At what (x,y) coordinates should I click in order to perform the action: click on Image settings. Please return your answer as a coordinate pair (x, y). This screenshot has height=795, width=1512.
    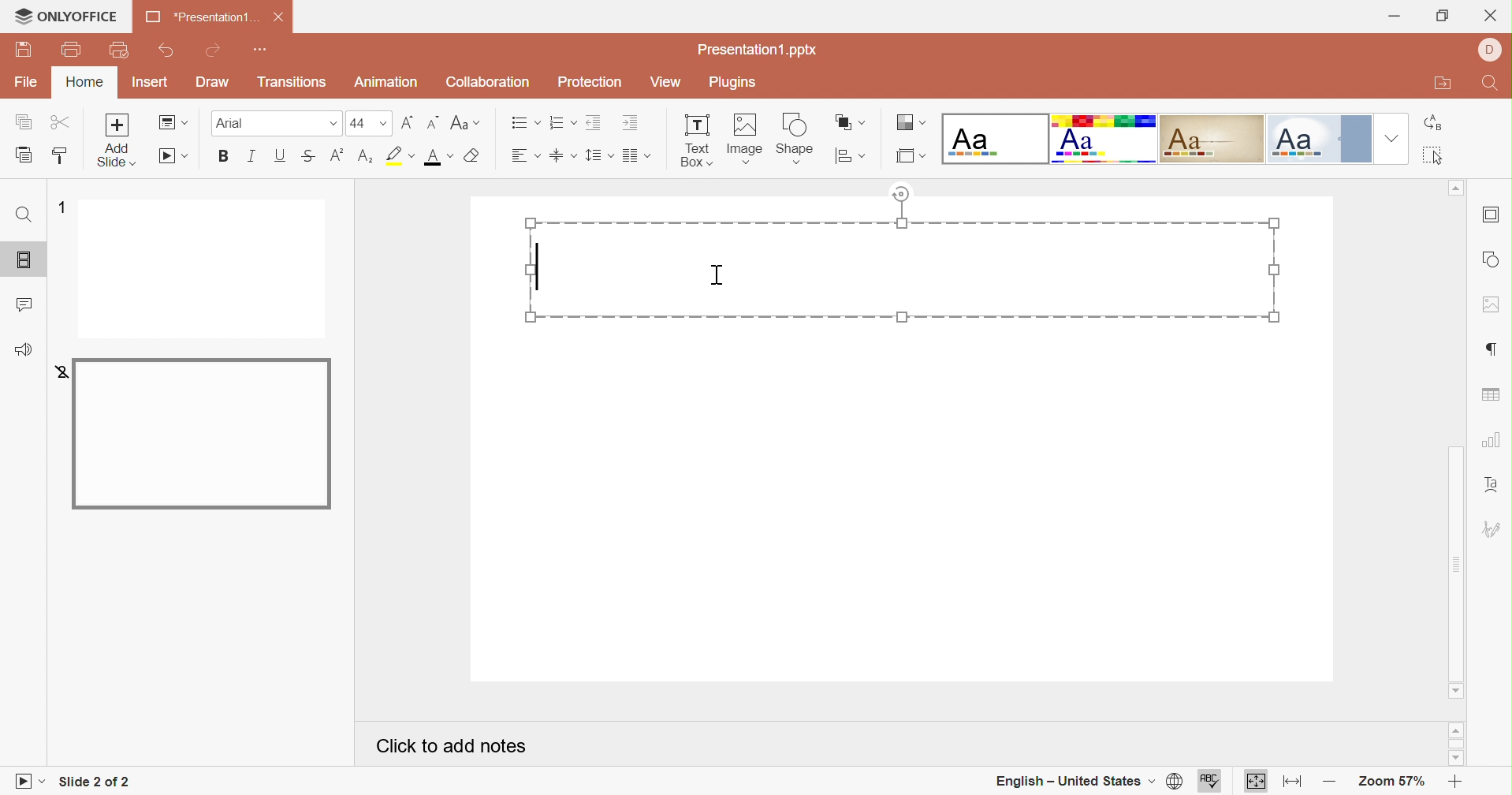
    Looking at the image, I should click on (1493, 306).